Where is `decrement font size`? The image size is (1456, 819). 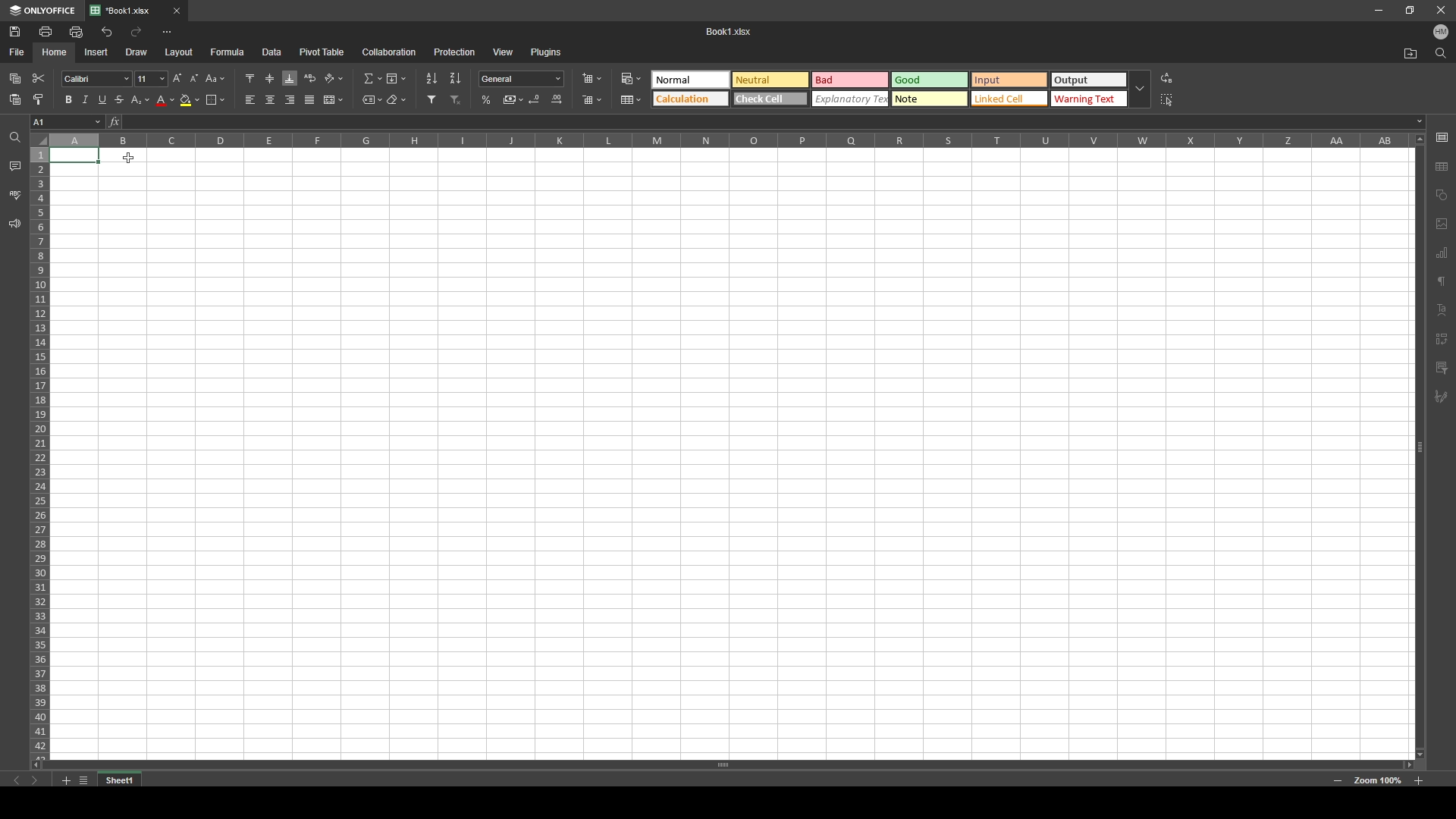 decrement font size is located at coordinates (195, 80).